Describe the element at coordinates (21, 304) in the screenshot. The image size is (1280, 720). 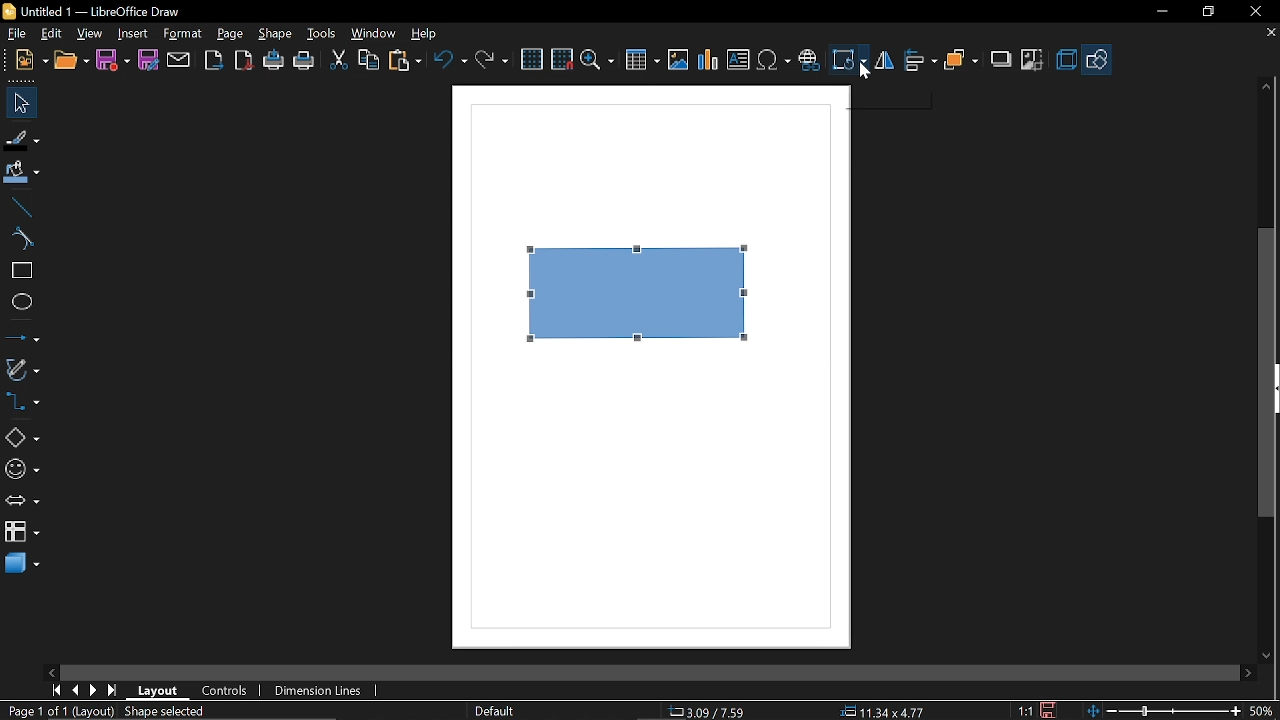
I see `ellipse` at that location.